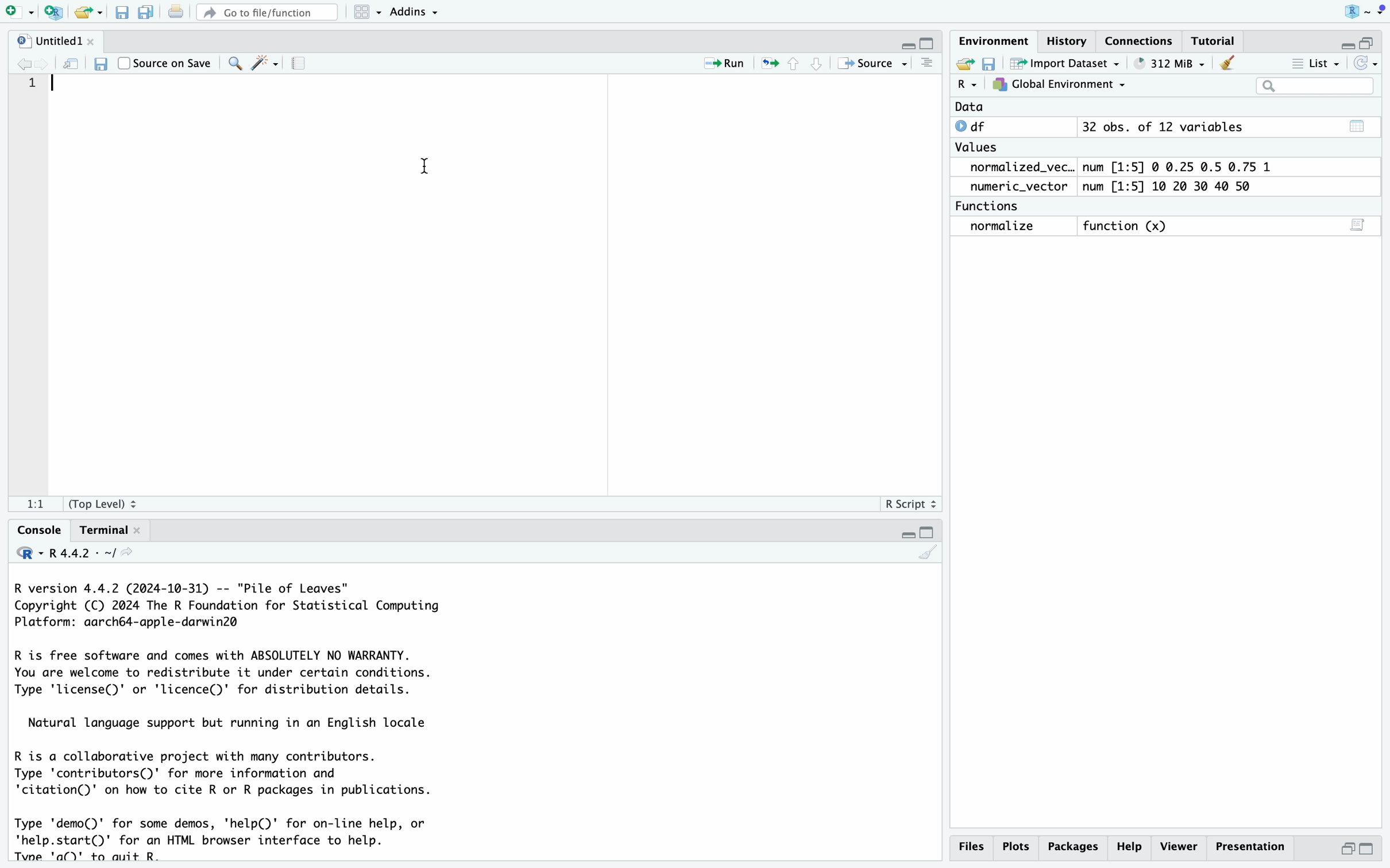 The height and width of the screenshot is (868, 1390). Describe the element at coordinates (1352, 10) in the screenshot. I see `user` at that location.